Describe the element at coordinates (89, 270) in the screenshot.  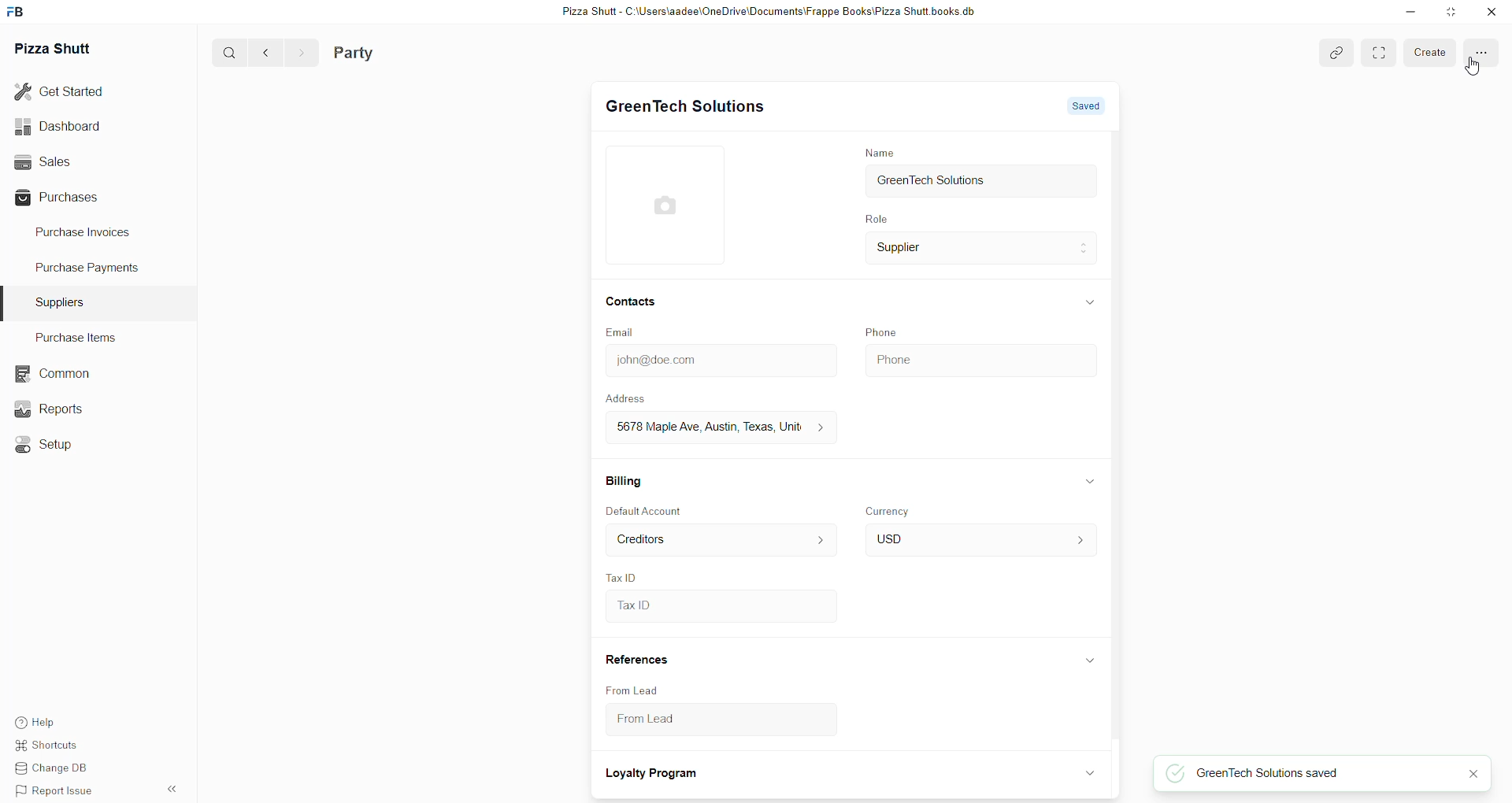
I see `Purchase Payments` at that location.